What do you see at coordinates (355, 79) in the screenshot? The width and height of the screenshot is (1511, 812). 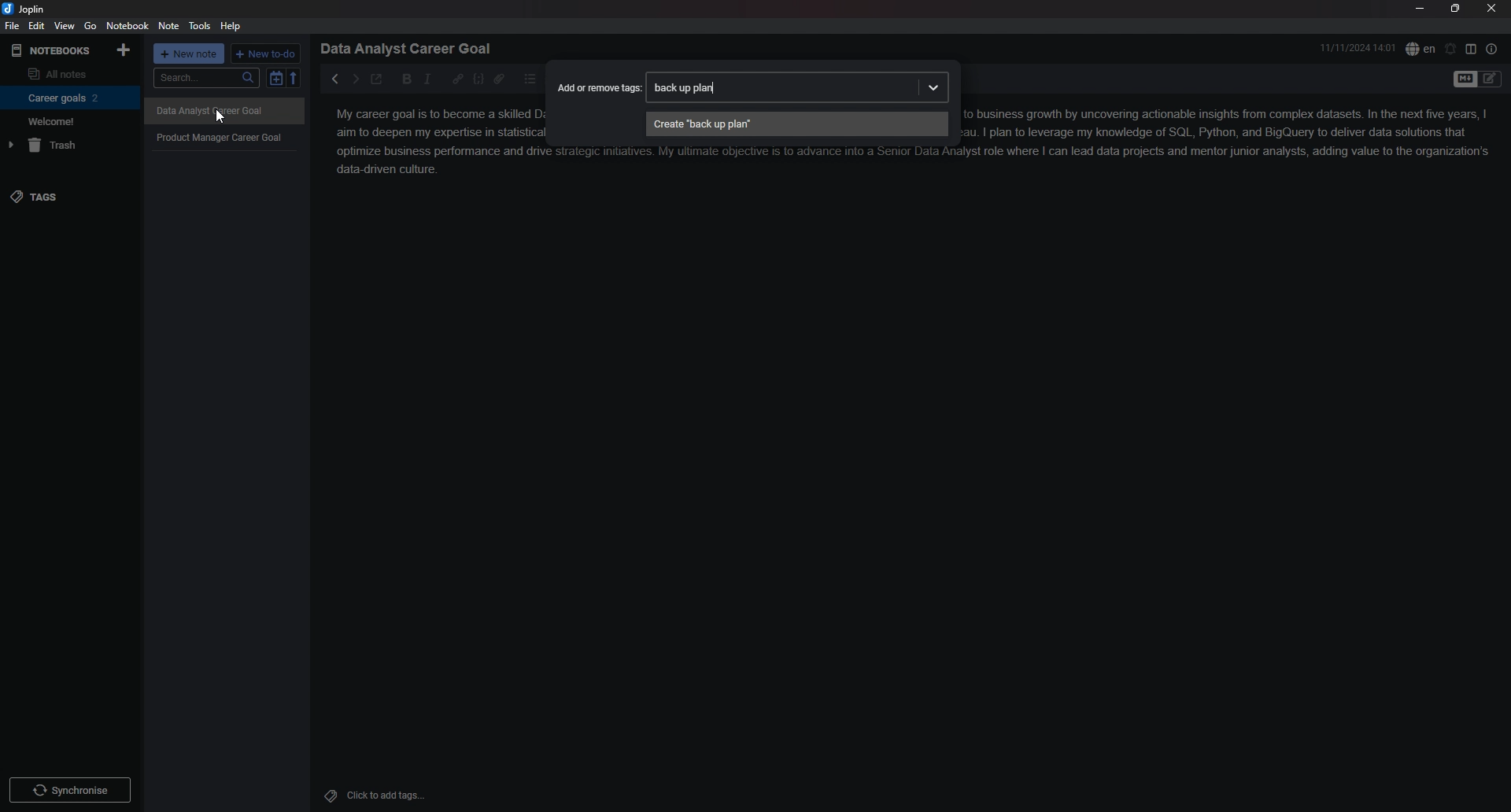 I see `next` at bounding box center [355, 79].